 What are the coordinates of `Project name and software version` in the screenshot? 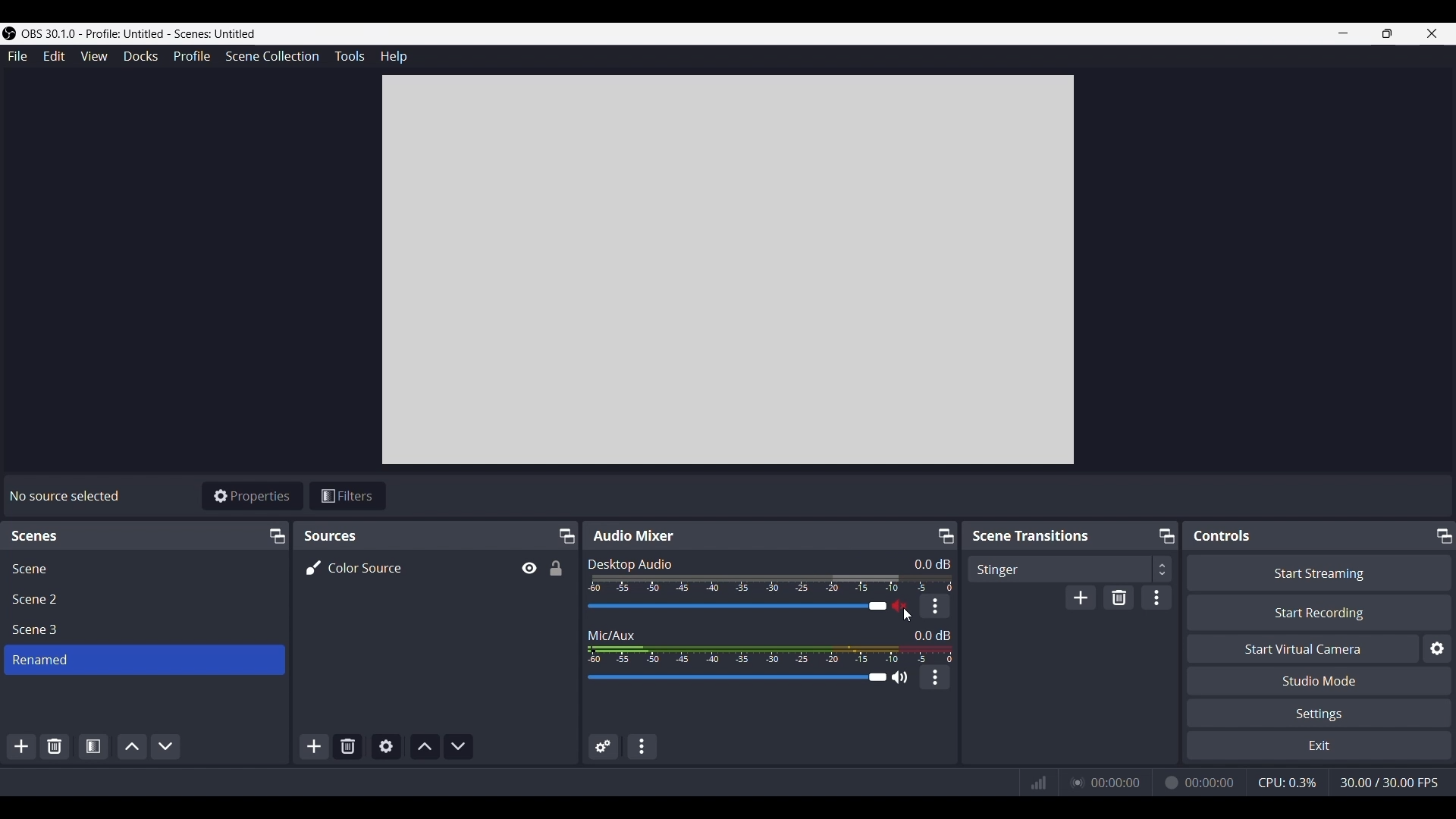 It's located at (141, 33).